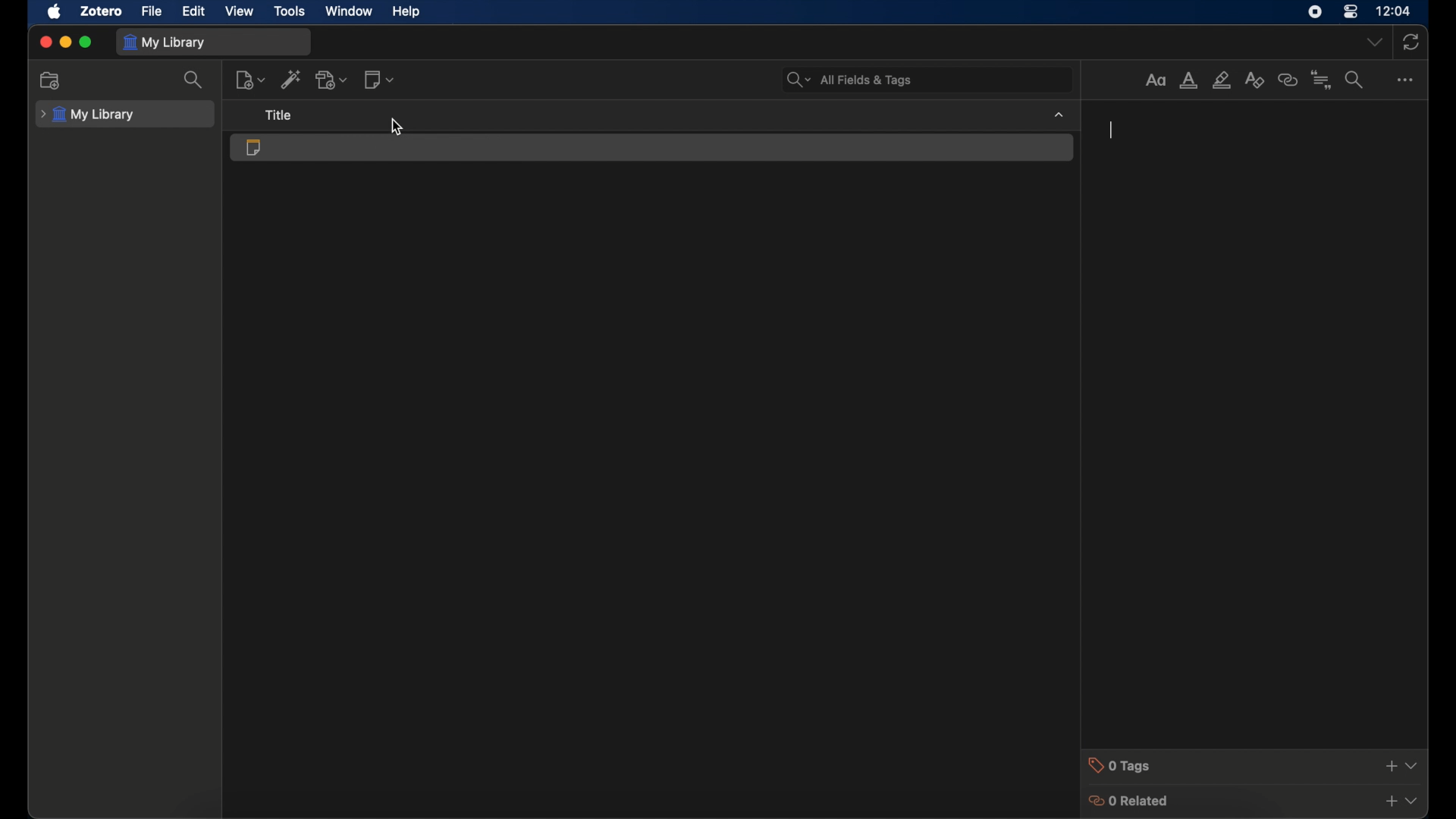 The width and height of the screenshot is (1456, 819). What do you see at coordinates (852, 80) in the screenshot?
I see `search` at bounding box center [852, 80].